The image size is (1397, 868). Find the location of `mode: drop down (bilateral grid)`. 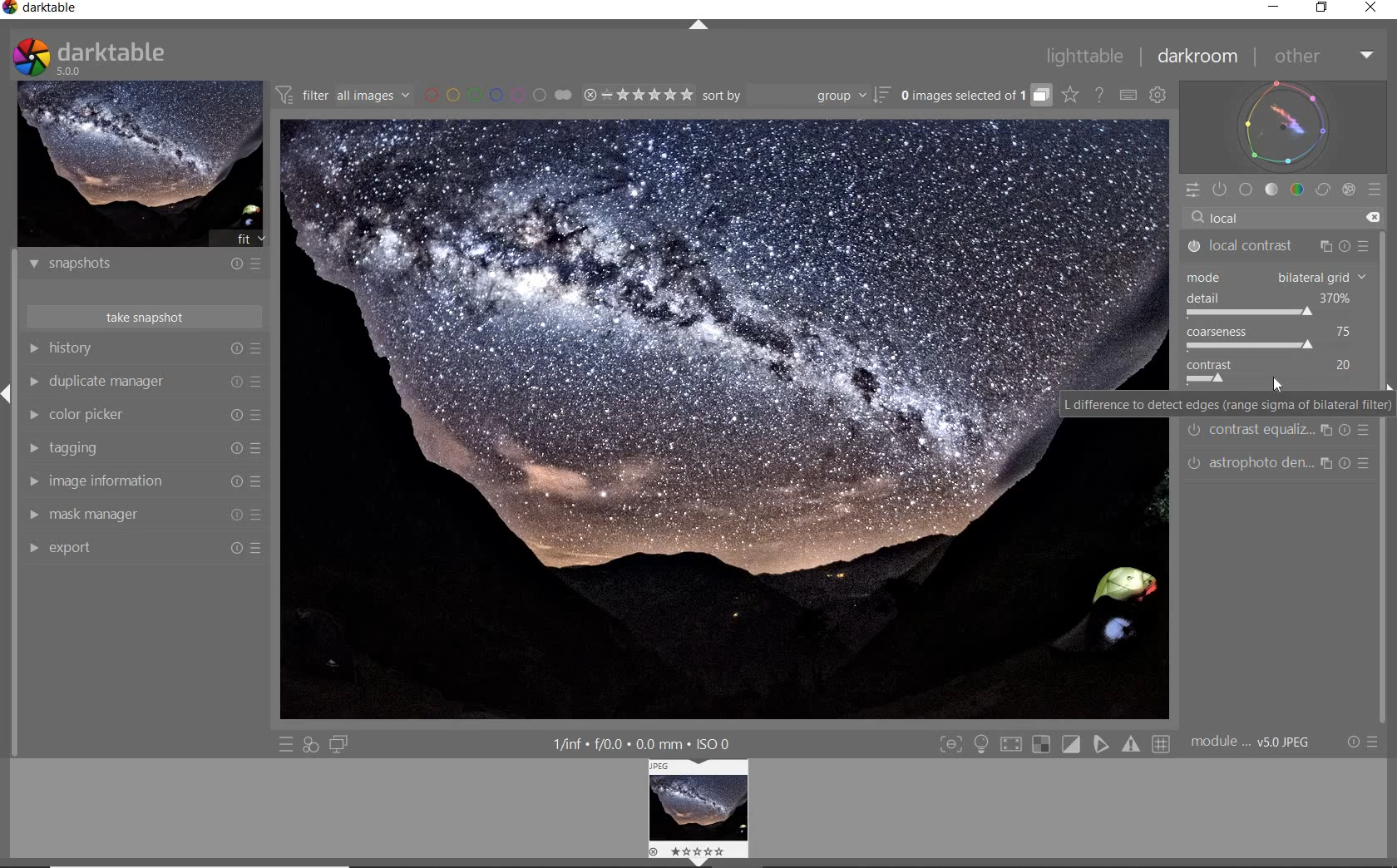

mode: drop down (bilateral grid) is located at coordinates (1273, 275).